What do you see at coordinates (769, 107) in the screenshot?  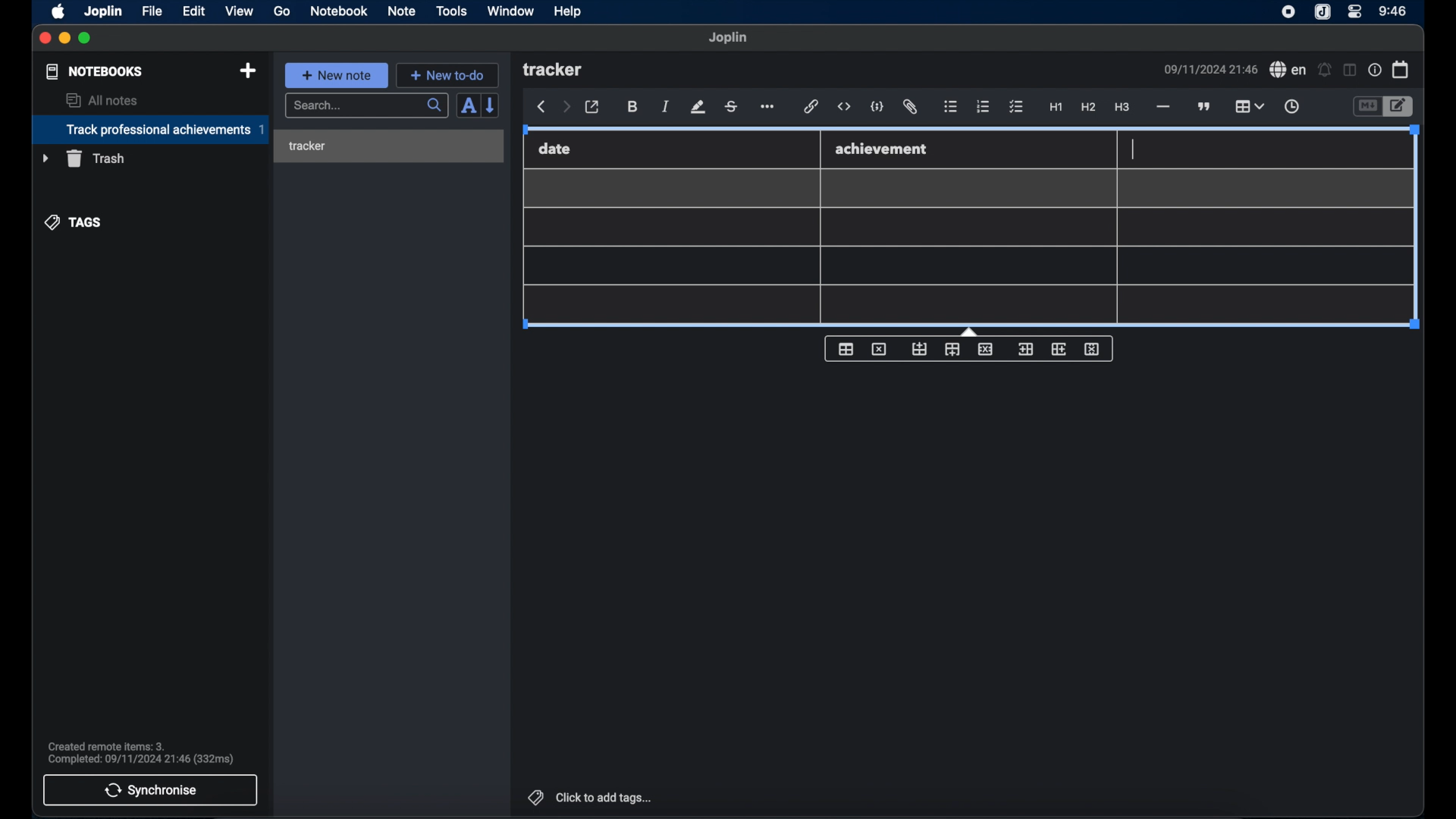 I see `more options` at bounding box center [769, 107].